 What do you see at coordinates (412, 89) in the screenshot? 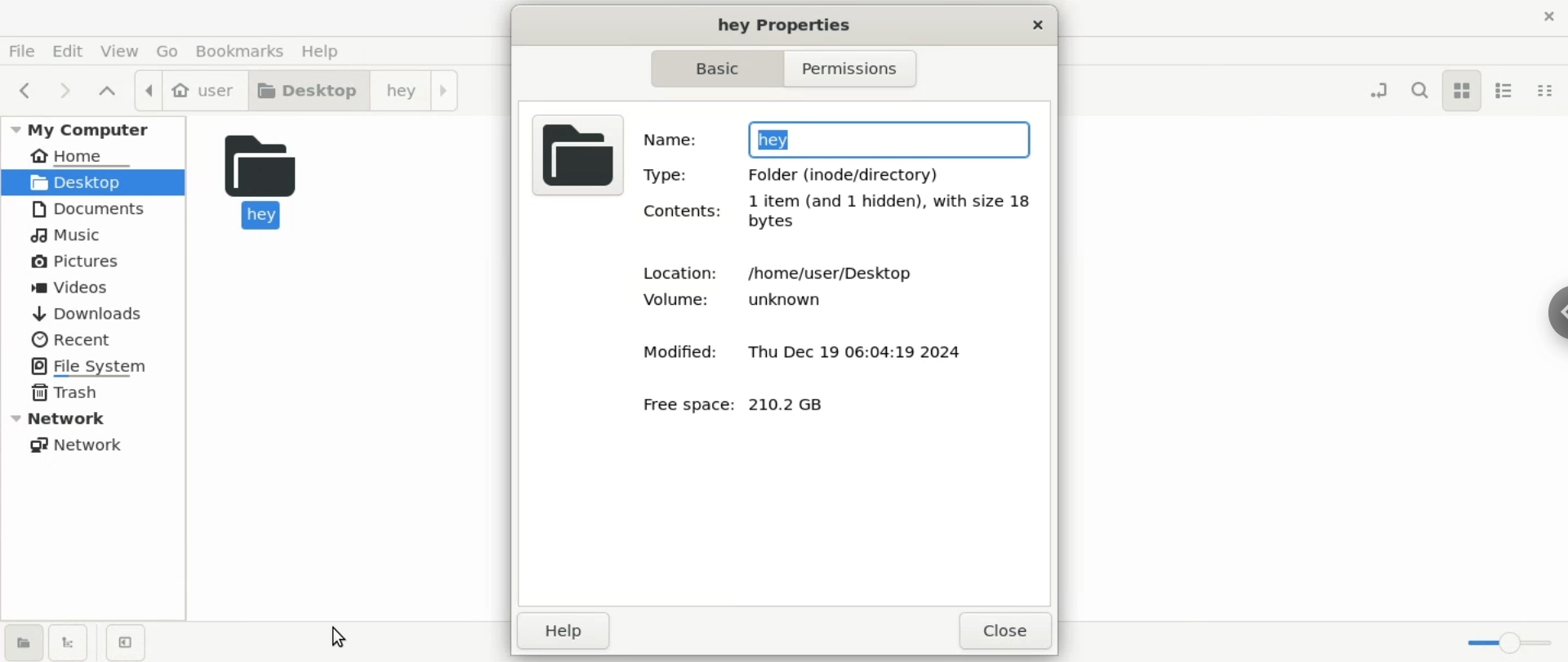
I see `hey` at bounding box center [412, 89].